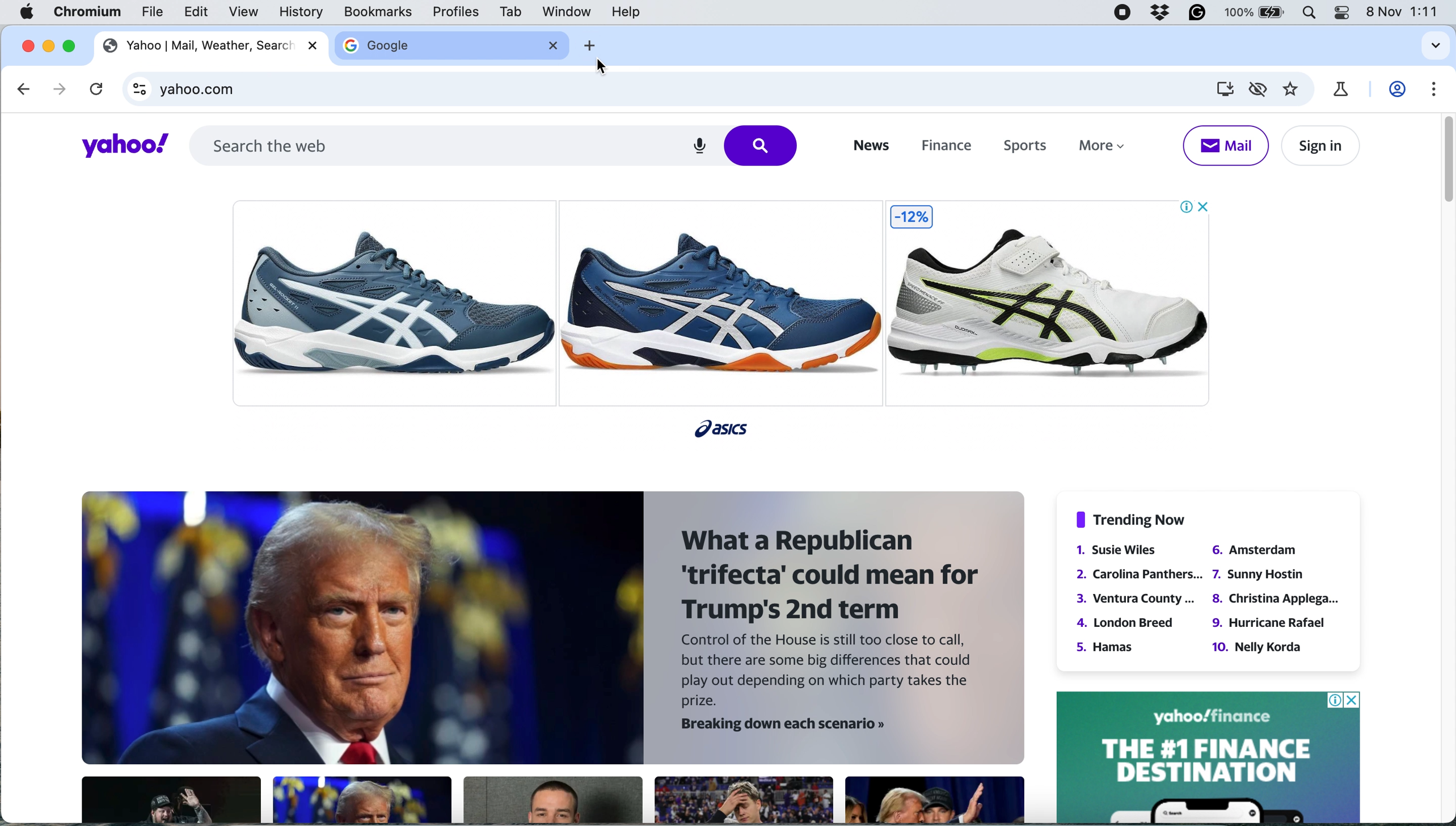 This screenshot has width=1456, height=826. Describe the element at coordinates (678, 92) in the screenshot. I see `yahoo.com` at that location.